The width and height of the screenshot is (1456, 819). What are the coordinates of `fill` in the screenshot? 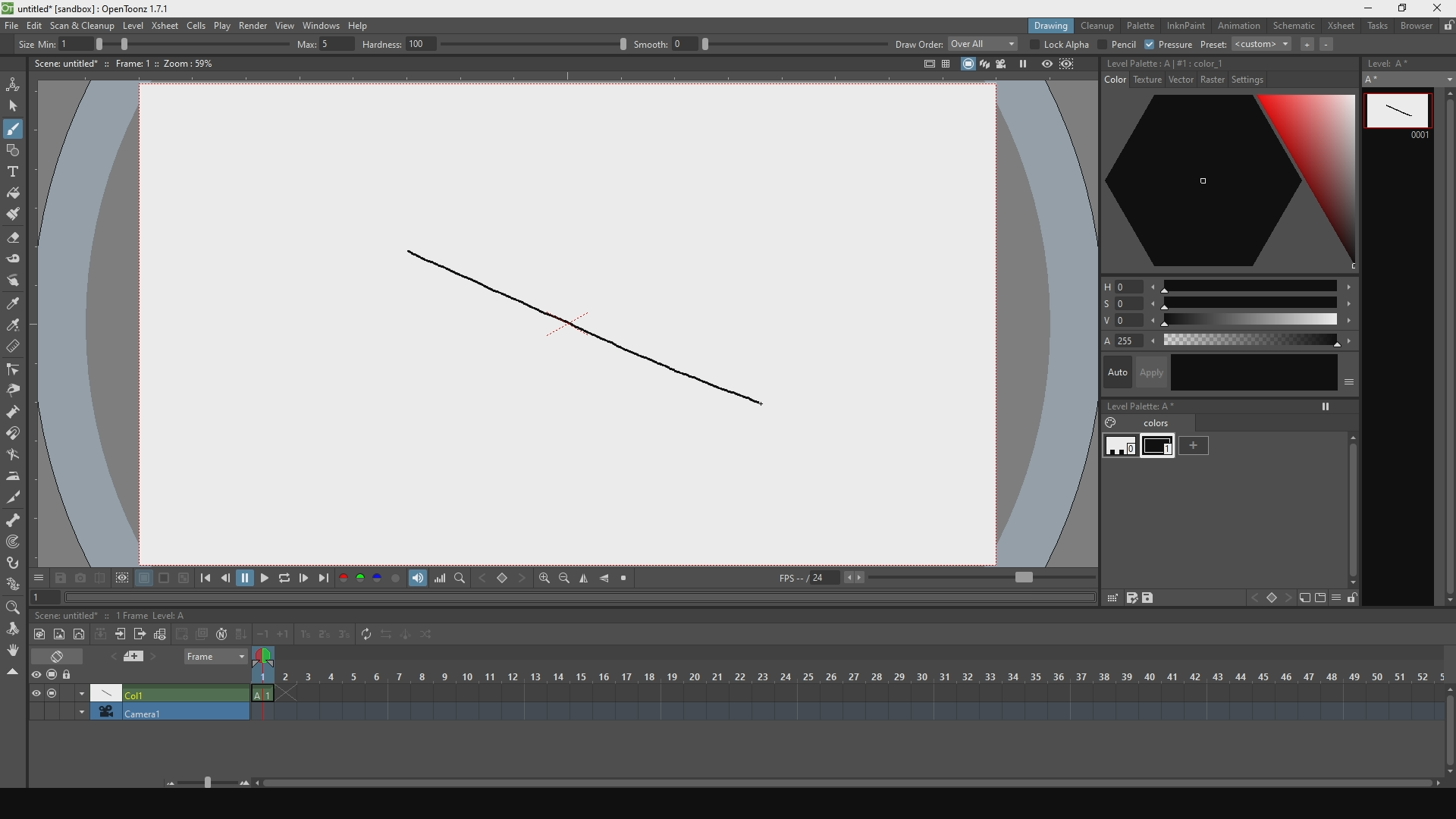 It's located at (14, 193).